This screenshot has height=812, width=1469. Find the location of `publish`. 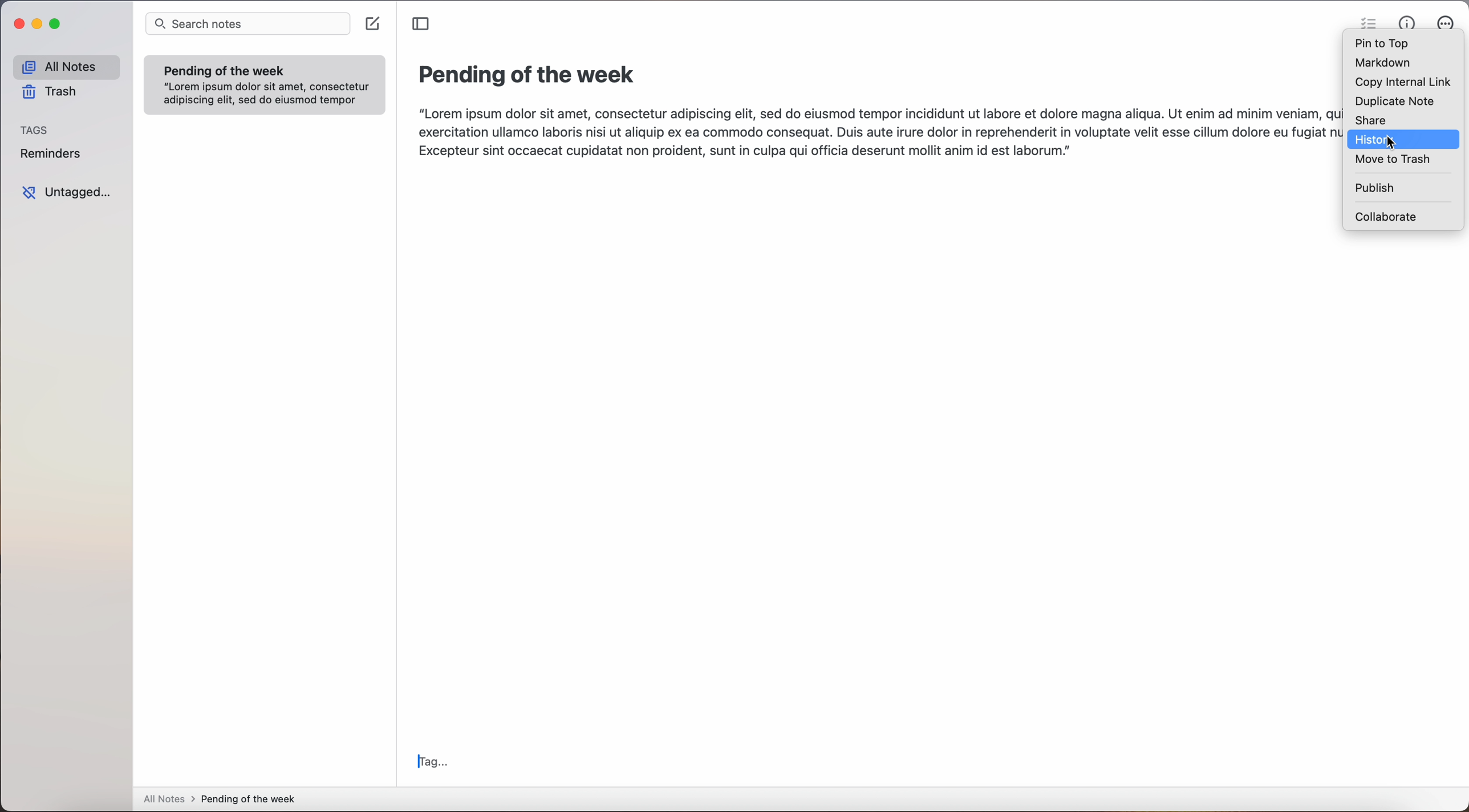

publish is located at coordinates (1375, 189).